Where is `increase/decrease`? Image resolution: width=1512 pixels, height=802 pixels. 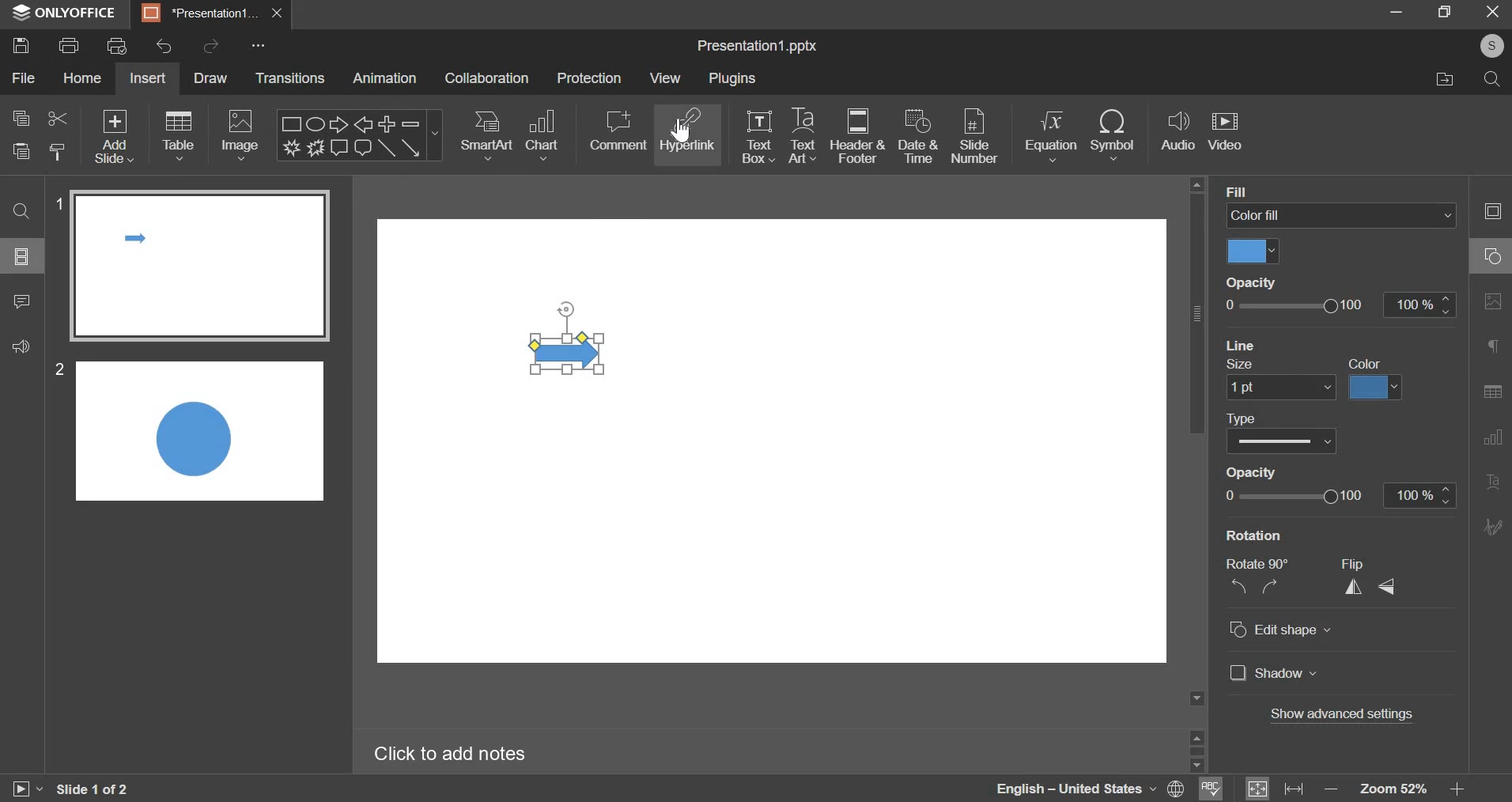
increase/decrease is located at coordinates (1419, 496).